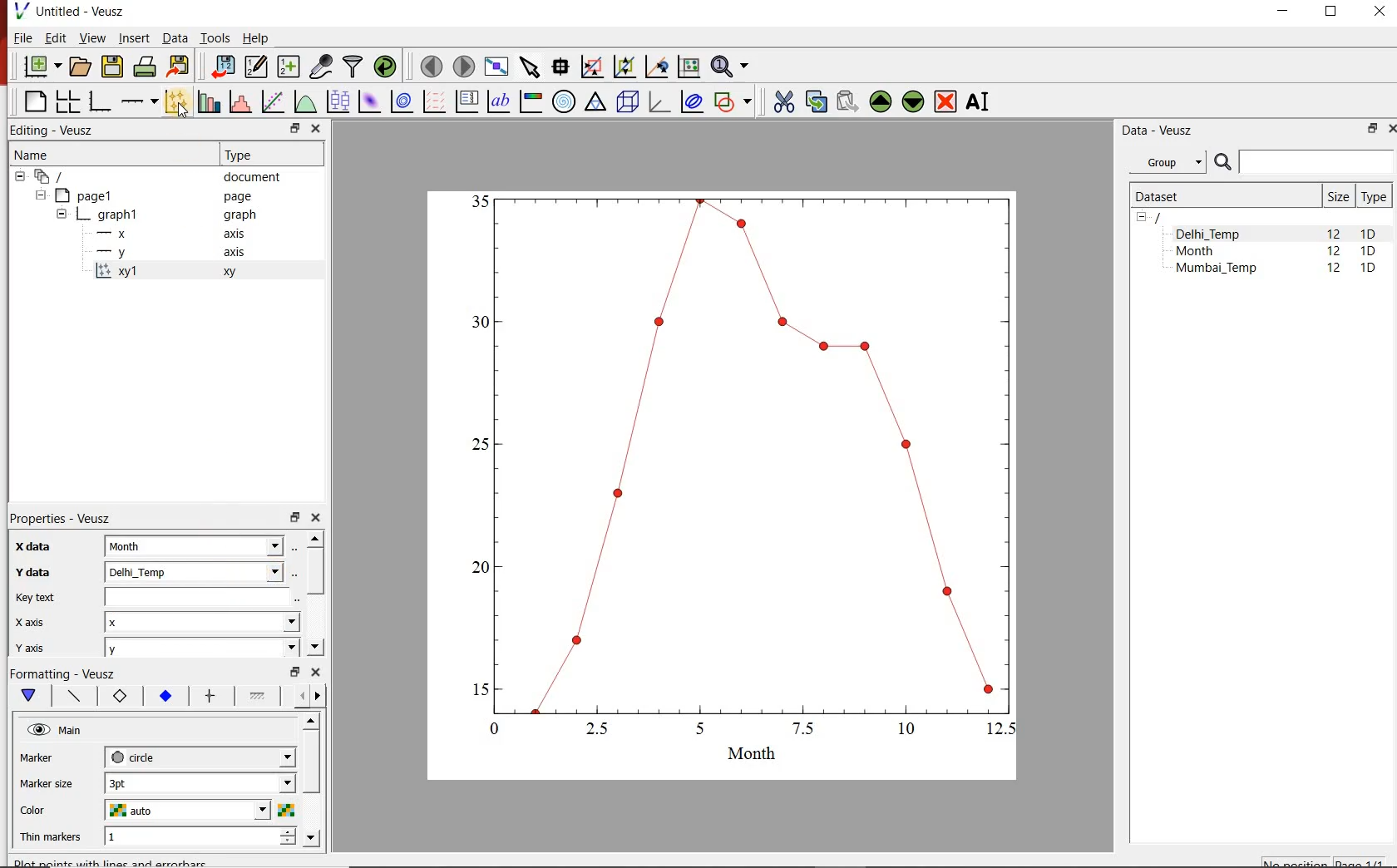  I want to click on 1, so click(200, 838).